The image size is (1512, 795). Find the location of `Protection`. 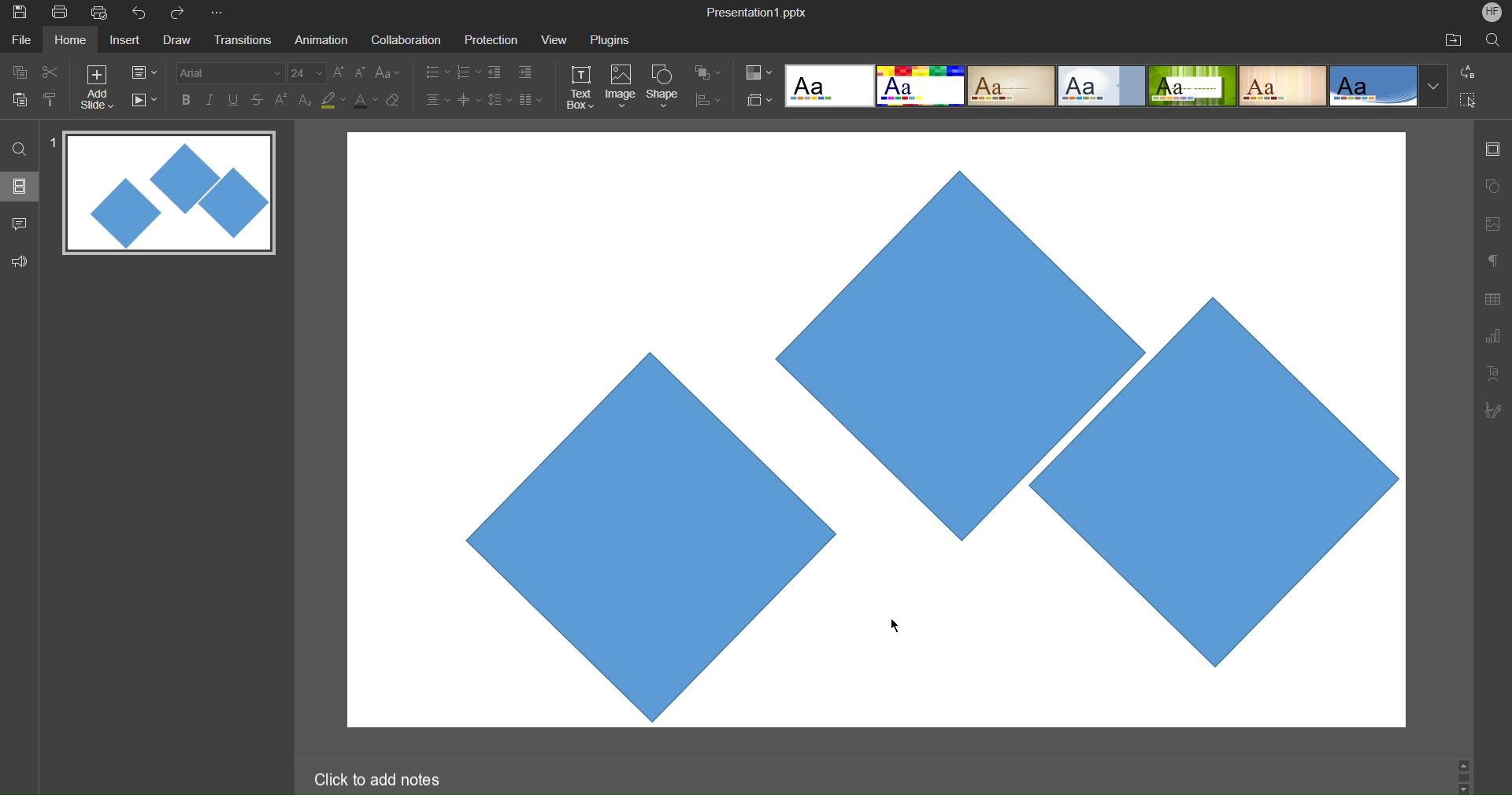

Protection is located at coordinates (484, 39).